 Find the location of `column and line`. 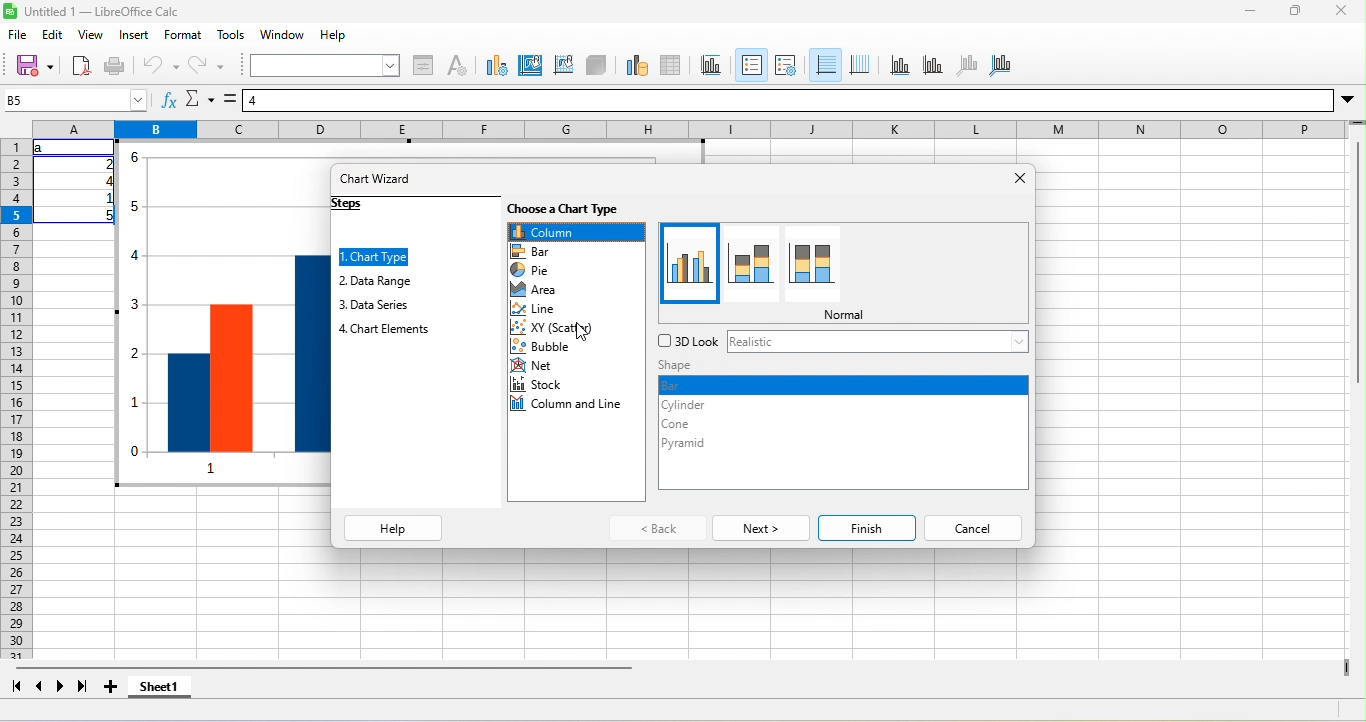

column and line is located at coordinates (577, 403).